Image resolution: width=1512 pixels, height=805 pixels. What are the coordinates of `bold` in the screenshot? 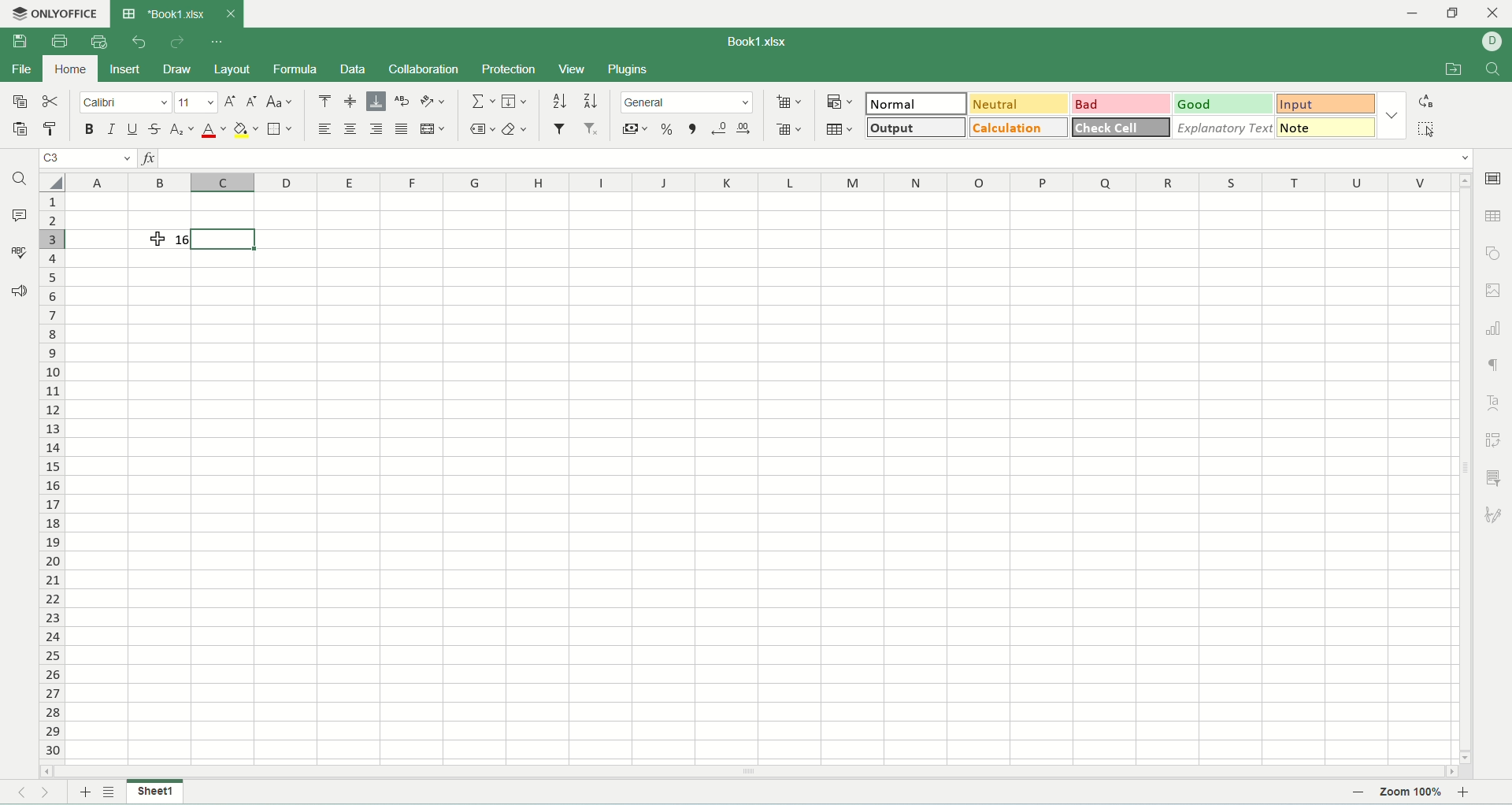 It's located at (91, 131).